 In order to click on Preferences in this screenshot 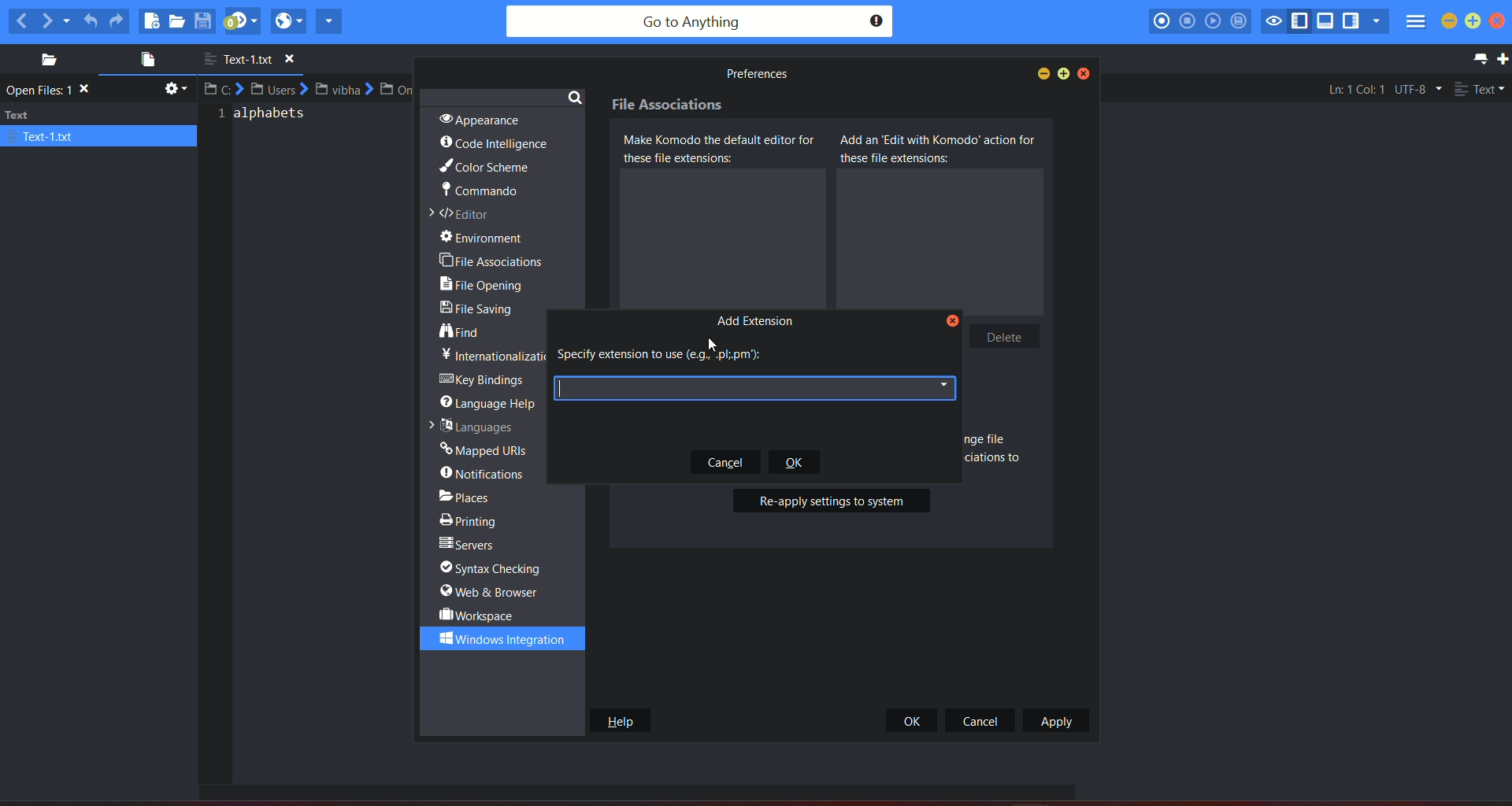, I will do `click(754, 74)`.